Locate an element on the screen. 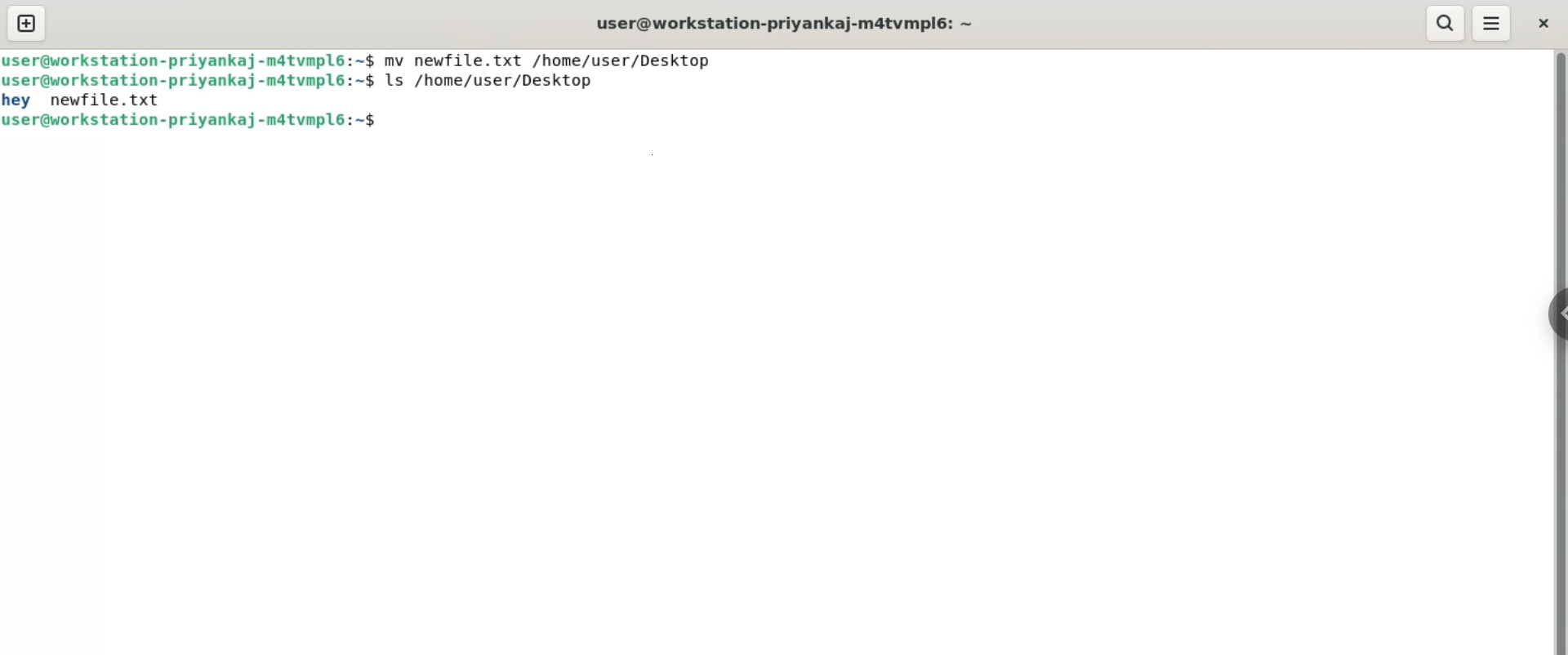 This screenshot has height=655, width=1568. hey is located at coordinates (16, 100).